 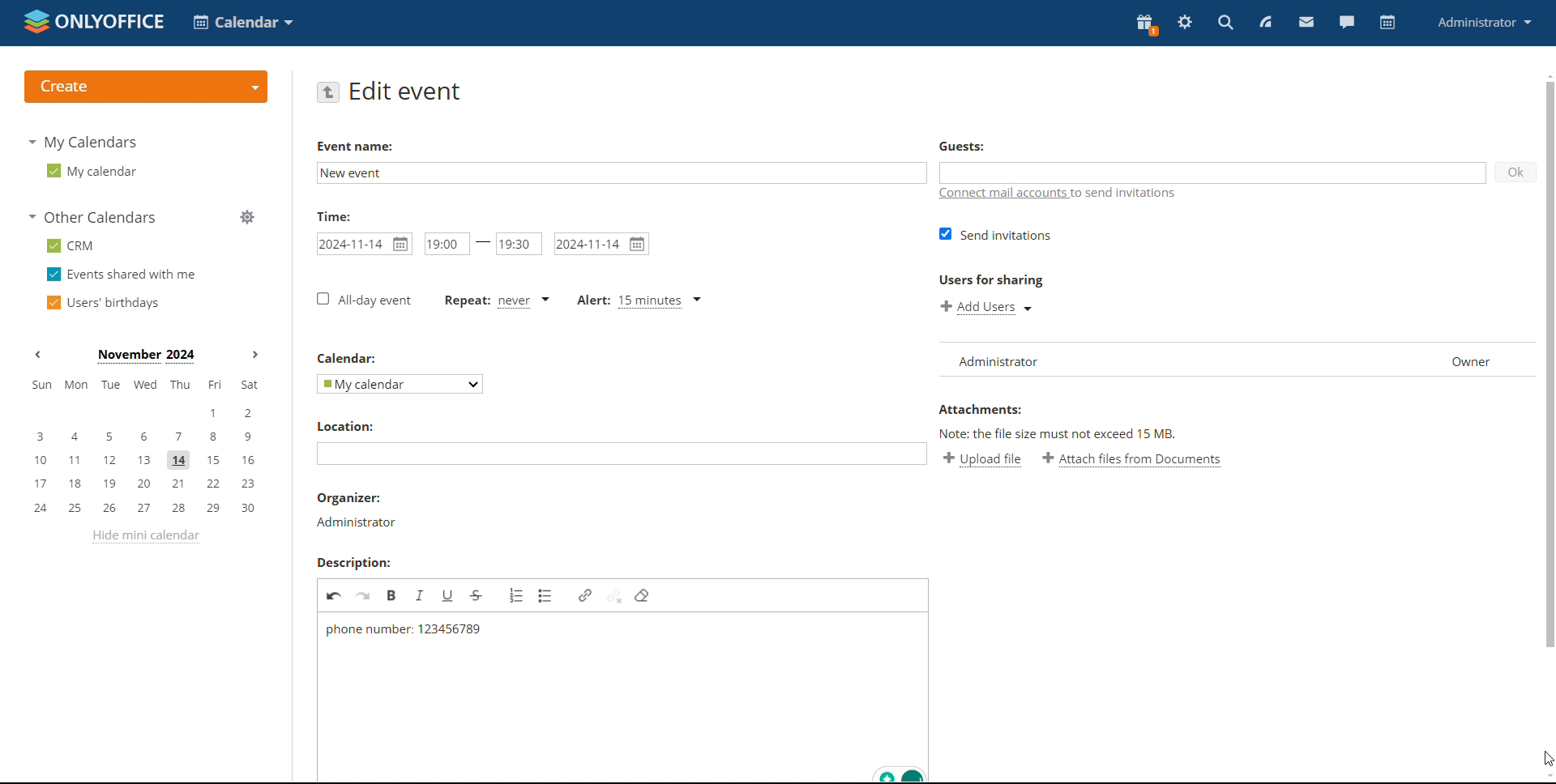 What do you see at coordinates (954, 145) in the screenshot?
I see `guests` at bounding box center [954, 145].